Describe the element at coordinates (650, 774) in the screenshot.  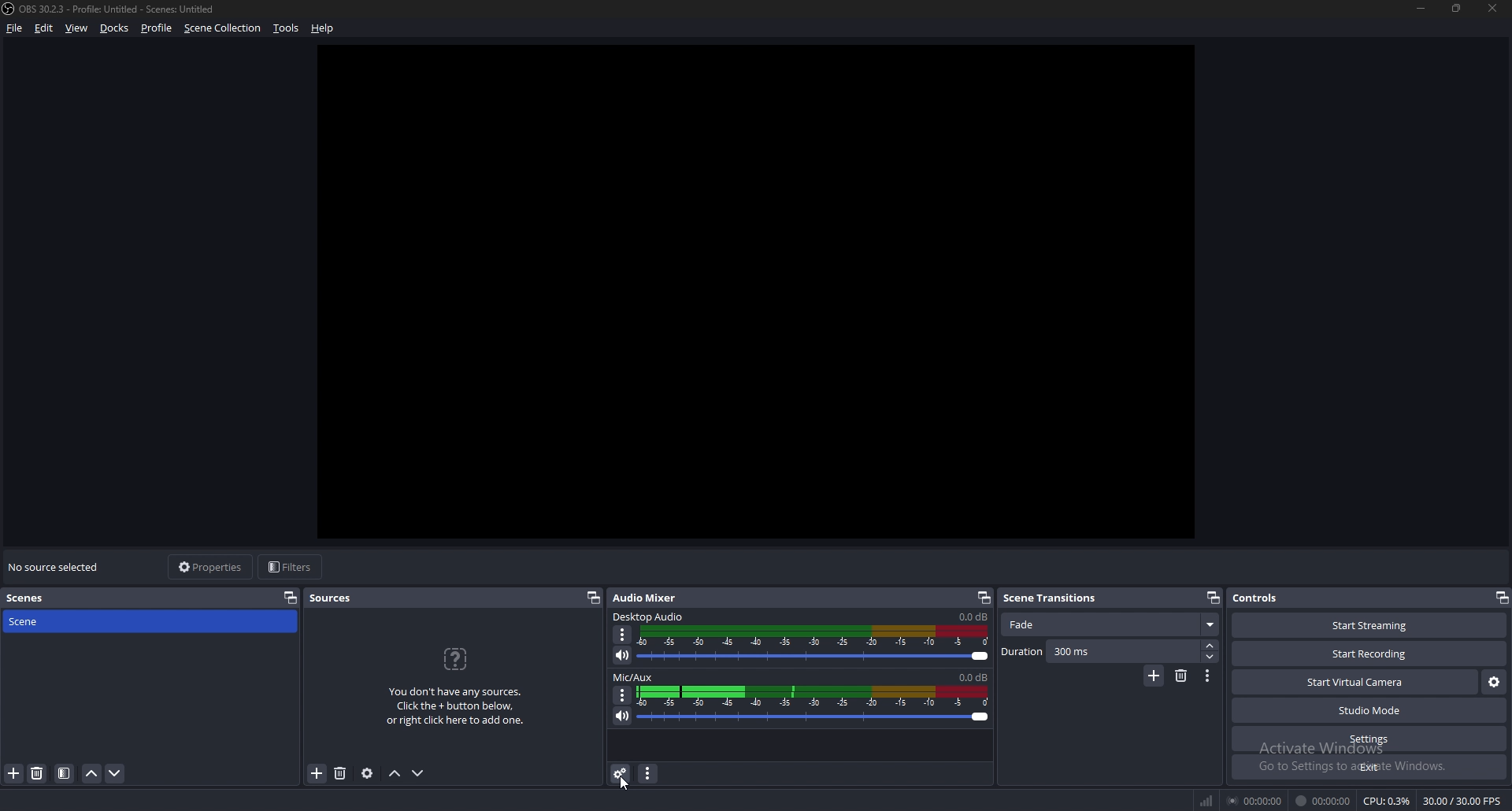
I see `audio mixer menu` at that location.